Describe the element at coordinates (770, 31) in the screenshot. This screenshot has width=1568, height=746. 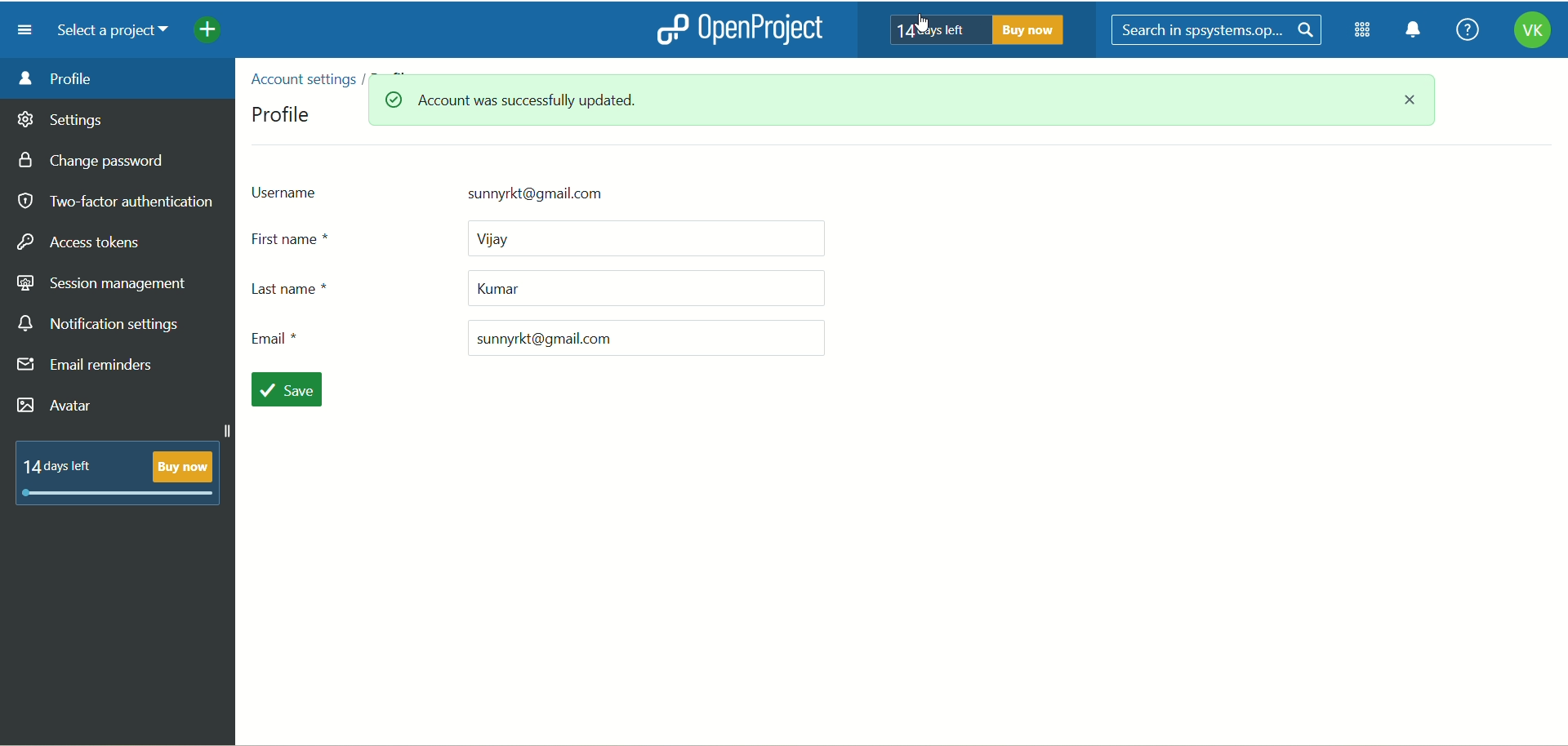
I see `openproject` at that location.